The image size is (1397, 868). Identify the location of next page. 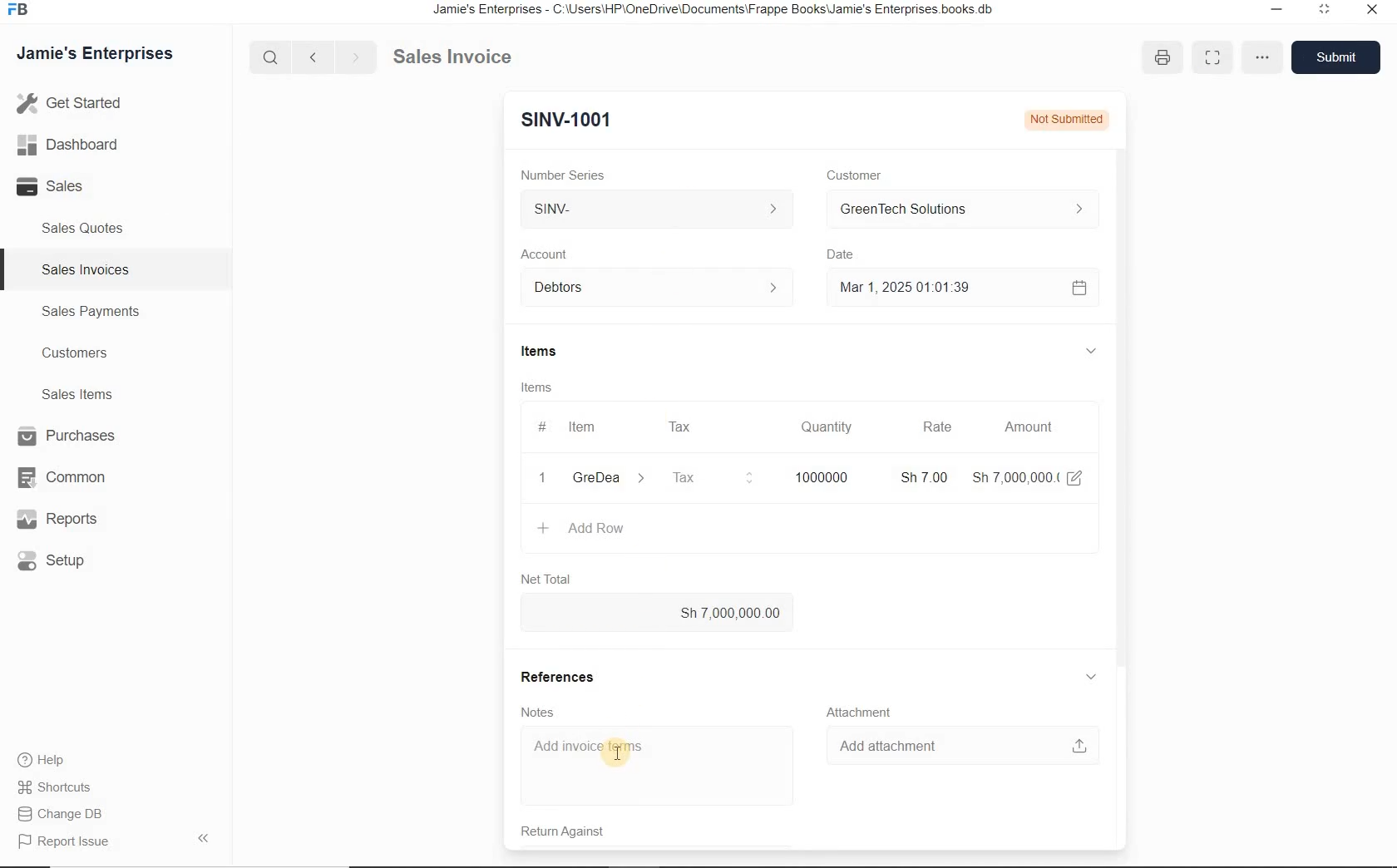
(353, 56).